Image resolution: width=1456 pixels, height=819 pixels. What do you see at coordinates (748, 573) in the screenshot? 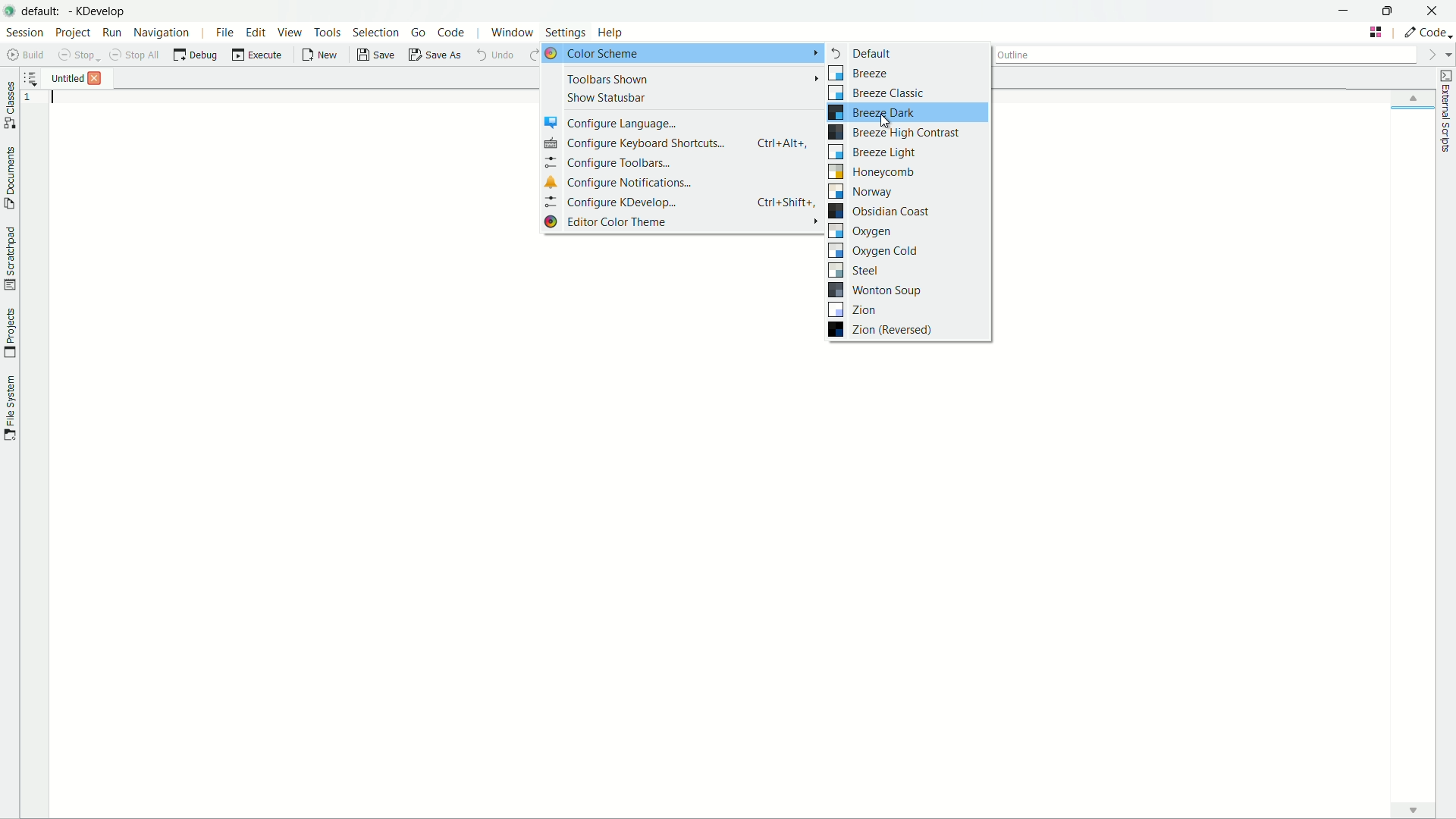
I see `workspace` at bounding box center [748, 573].